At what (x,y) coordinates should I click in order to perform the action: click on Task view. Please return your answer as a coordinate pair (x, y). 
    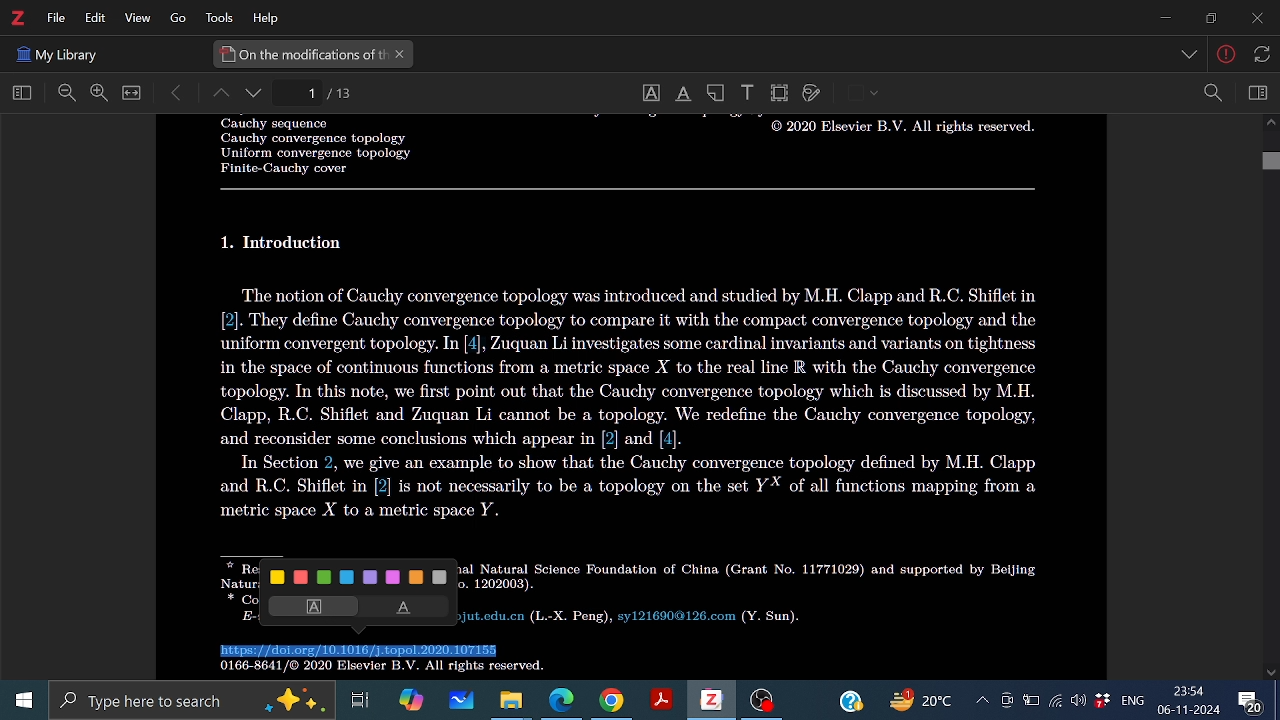
    Looking at the image, I should click on (361, 700).